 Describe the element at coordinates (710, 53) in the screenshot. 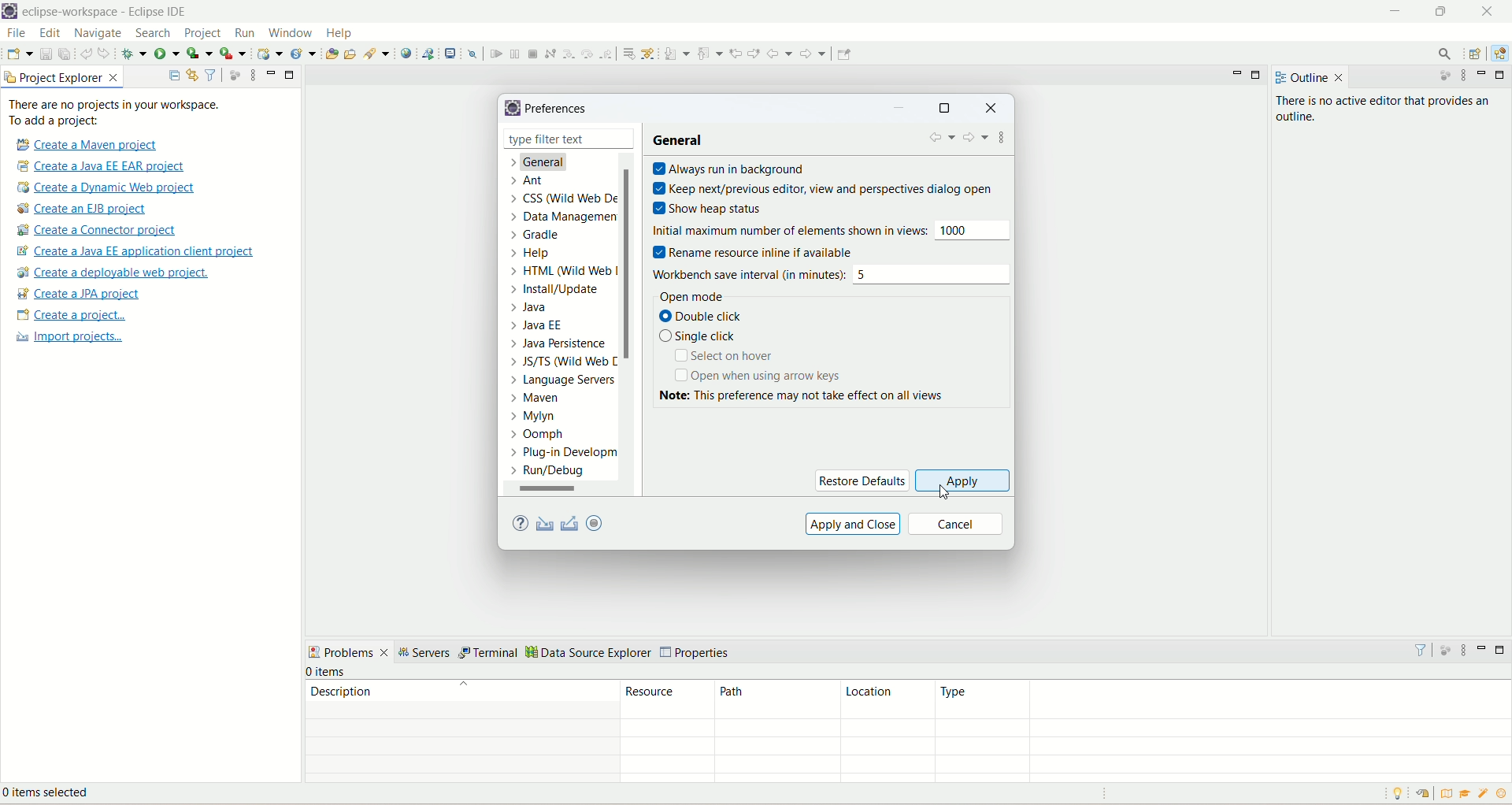

I see `previous annotation` at that location.